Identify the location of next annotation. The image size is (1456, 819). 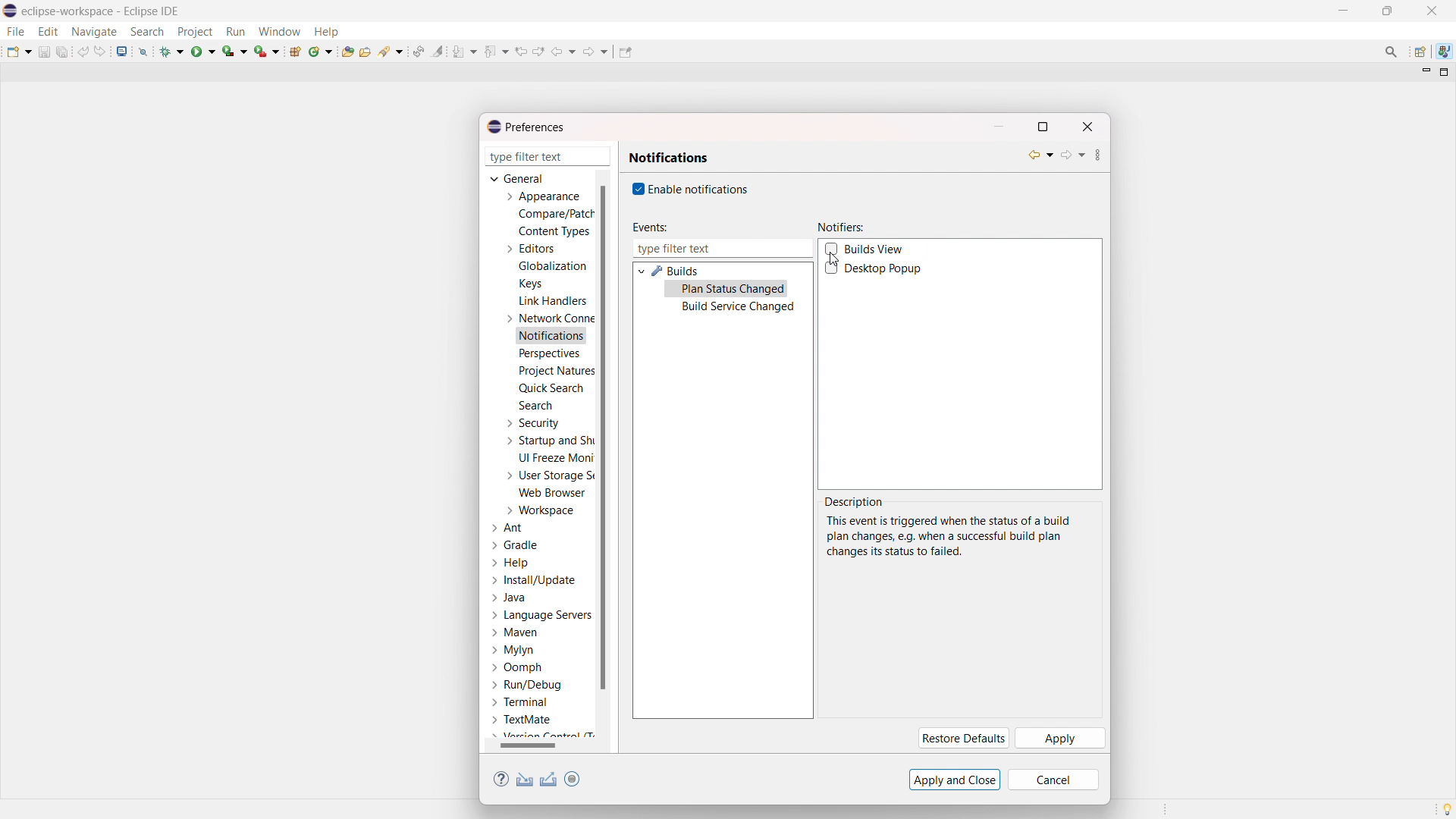
(465, 51).